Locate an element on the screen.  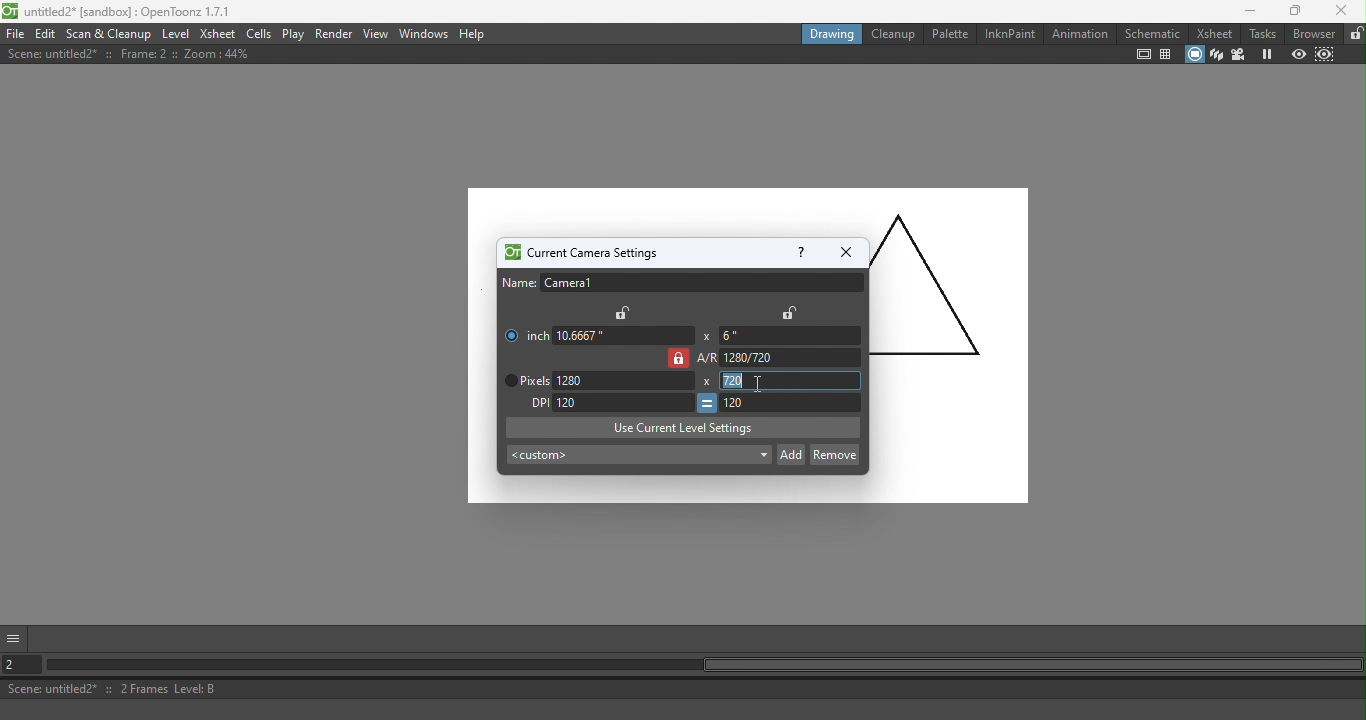
Browser is located at coordinates (1314, 33).